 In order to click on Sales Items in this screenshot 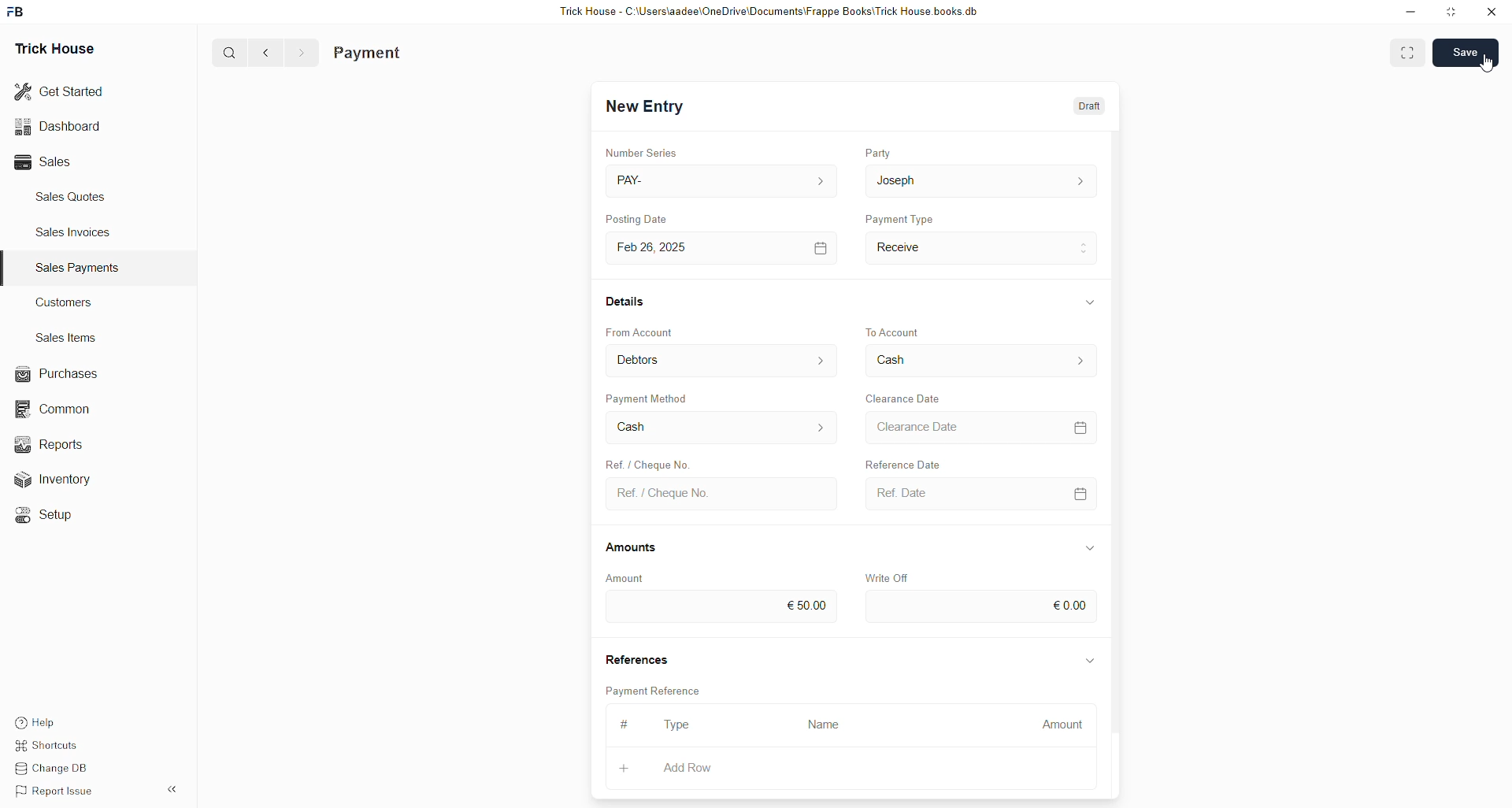, I will do `click(67, 338)`.